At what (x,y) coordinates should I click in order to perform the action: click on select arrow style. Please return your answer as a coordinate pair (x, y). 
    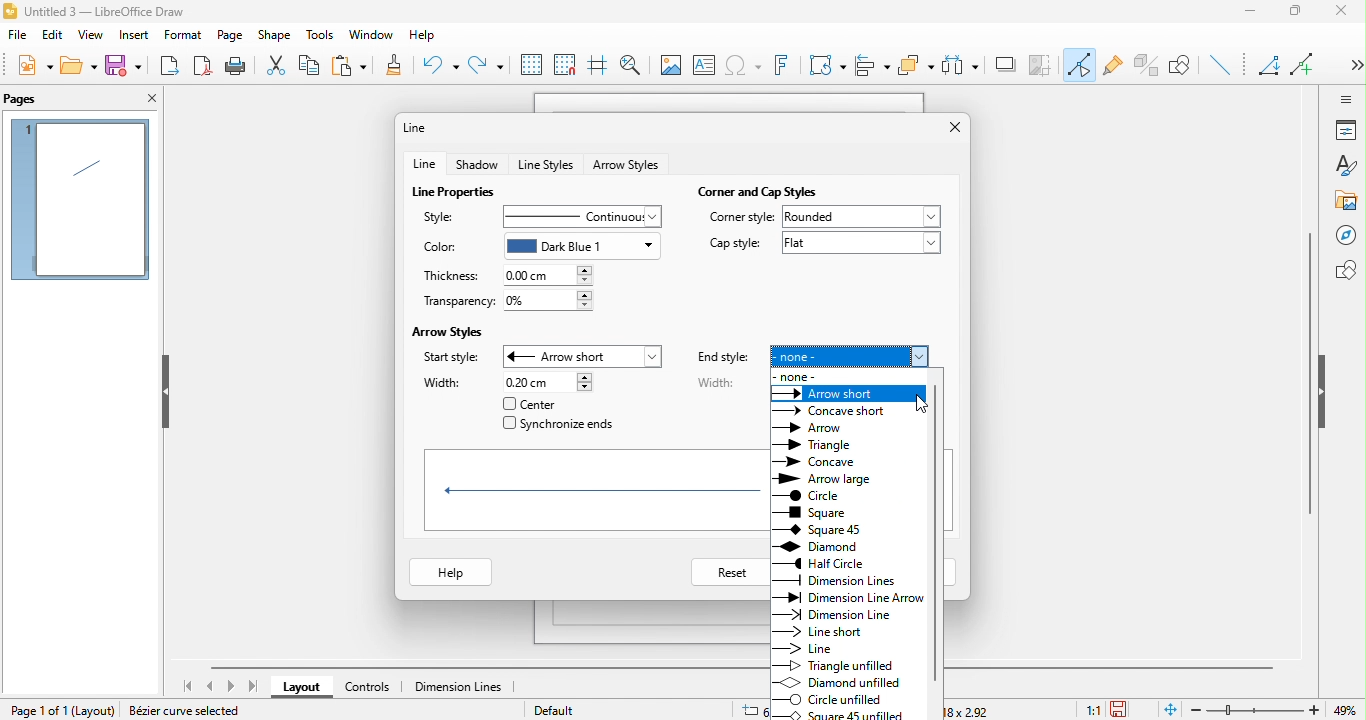
    Looking at the image, I should click on (852, 390).